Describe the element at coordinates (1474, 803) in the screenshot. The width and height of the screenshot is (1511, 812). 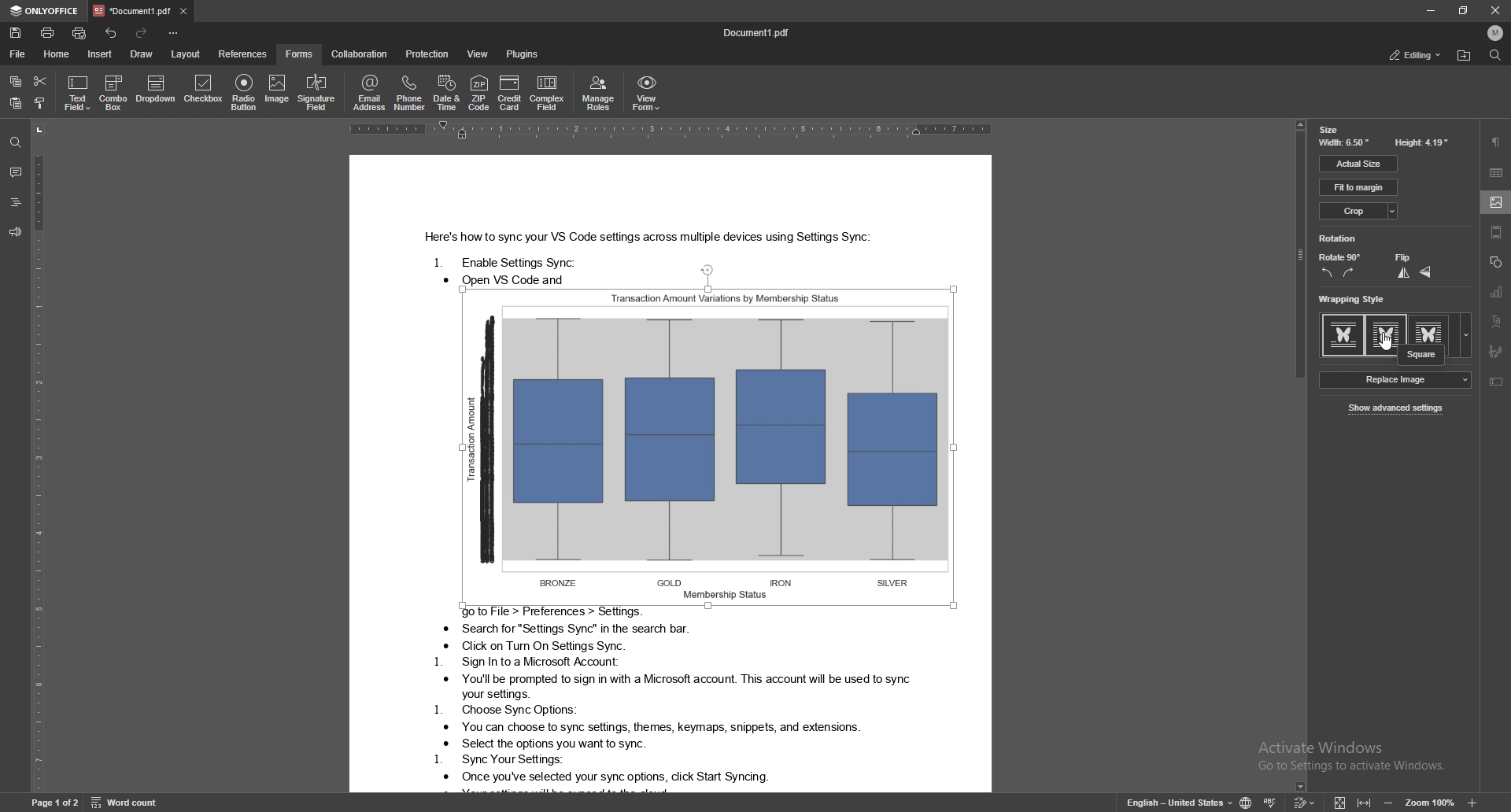
I see `icon` at that location.